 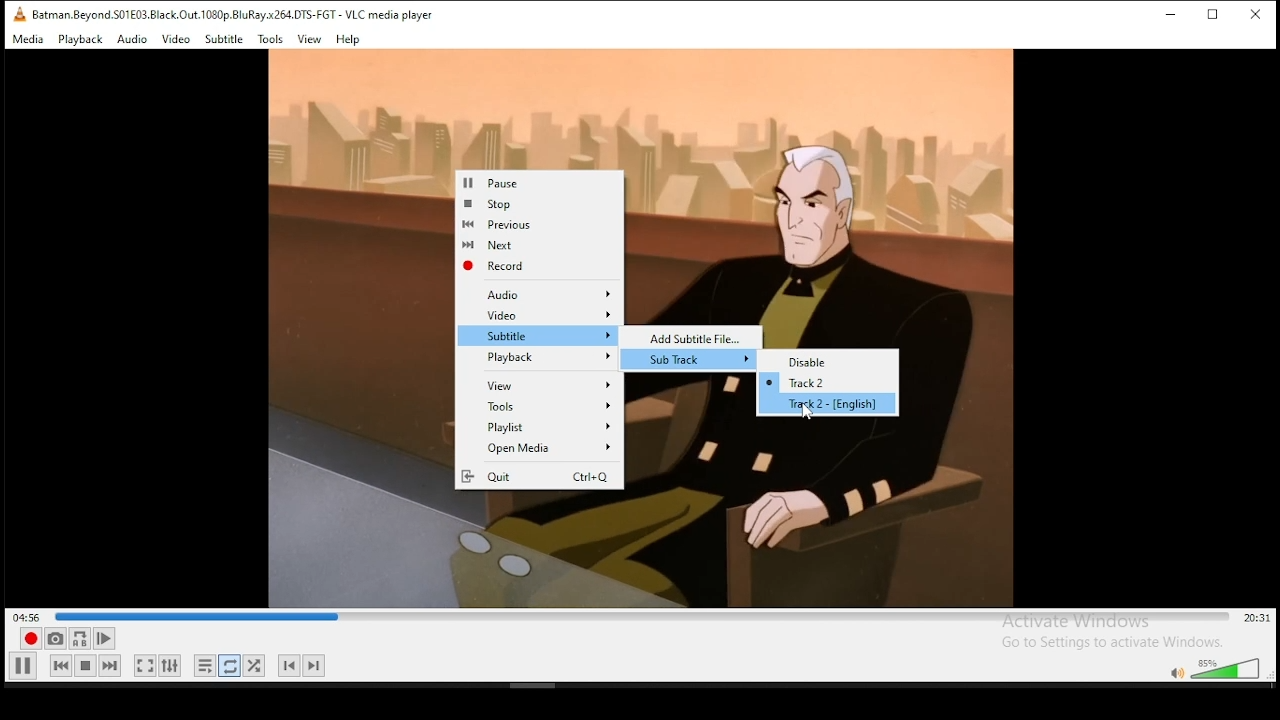 What do you see at coordinates (1255, 619) in the screenshot?
I see `20:31` at bounding box center [1255, 619].